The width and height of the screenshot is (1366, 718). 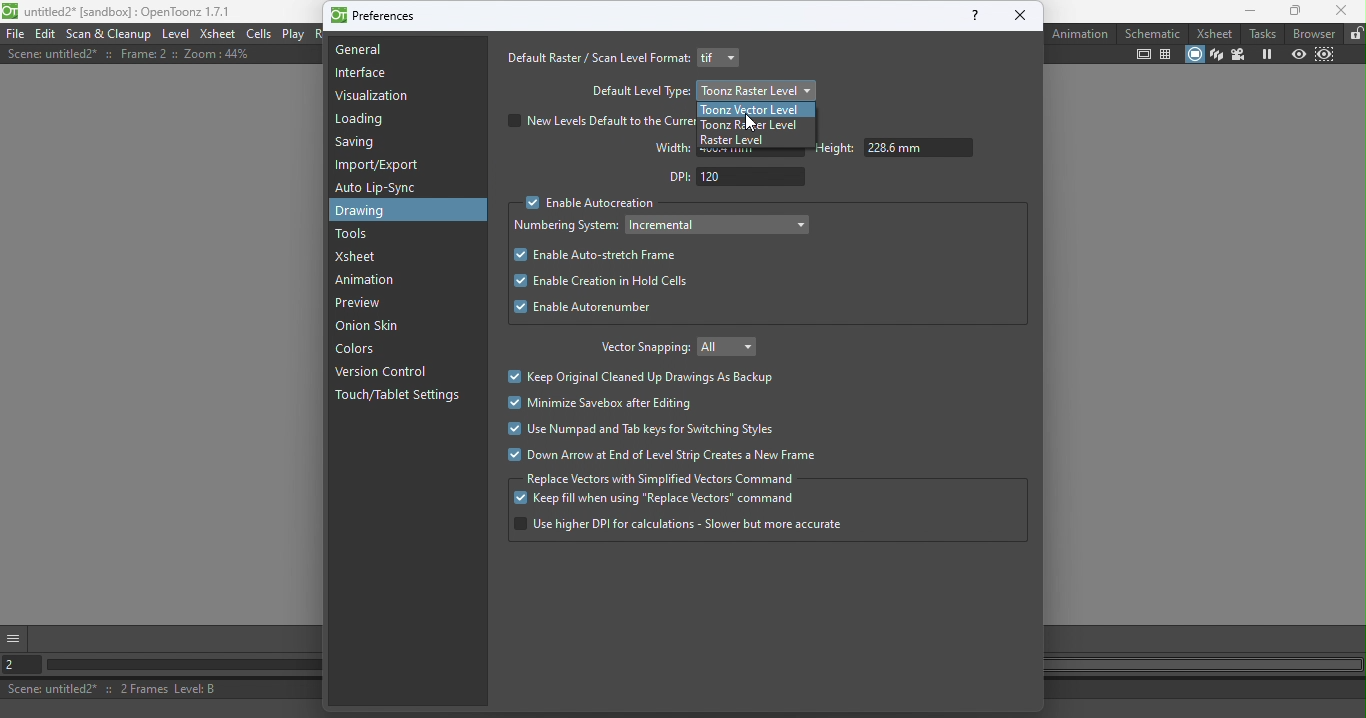 What do you see at coordinates (375, 96) in the screenshot?
I see `Visualization` at bounding box center [375, 96].